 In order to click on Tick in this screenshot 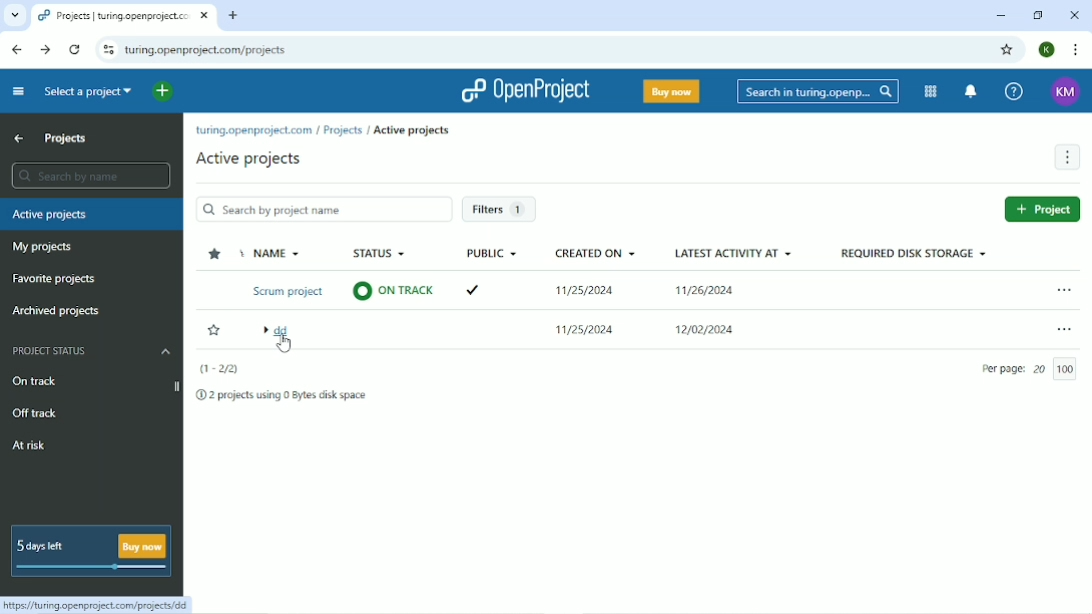, I will do `click(494, 292)`.